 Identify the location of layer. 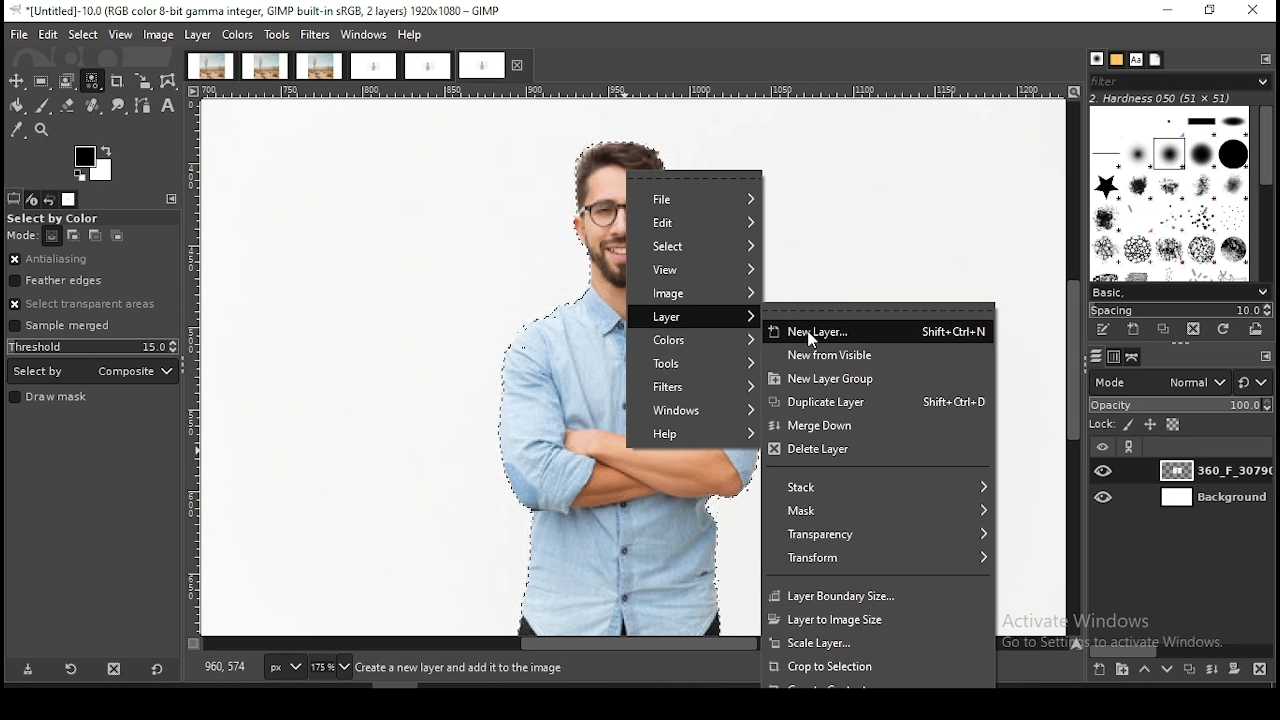
(198, 35).